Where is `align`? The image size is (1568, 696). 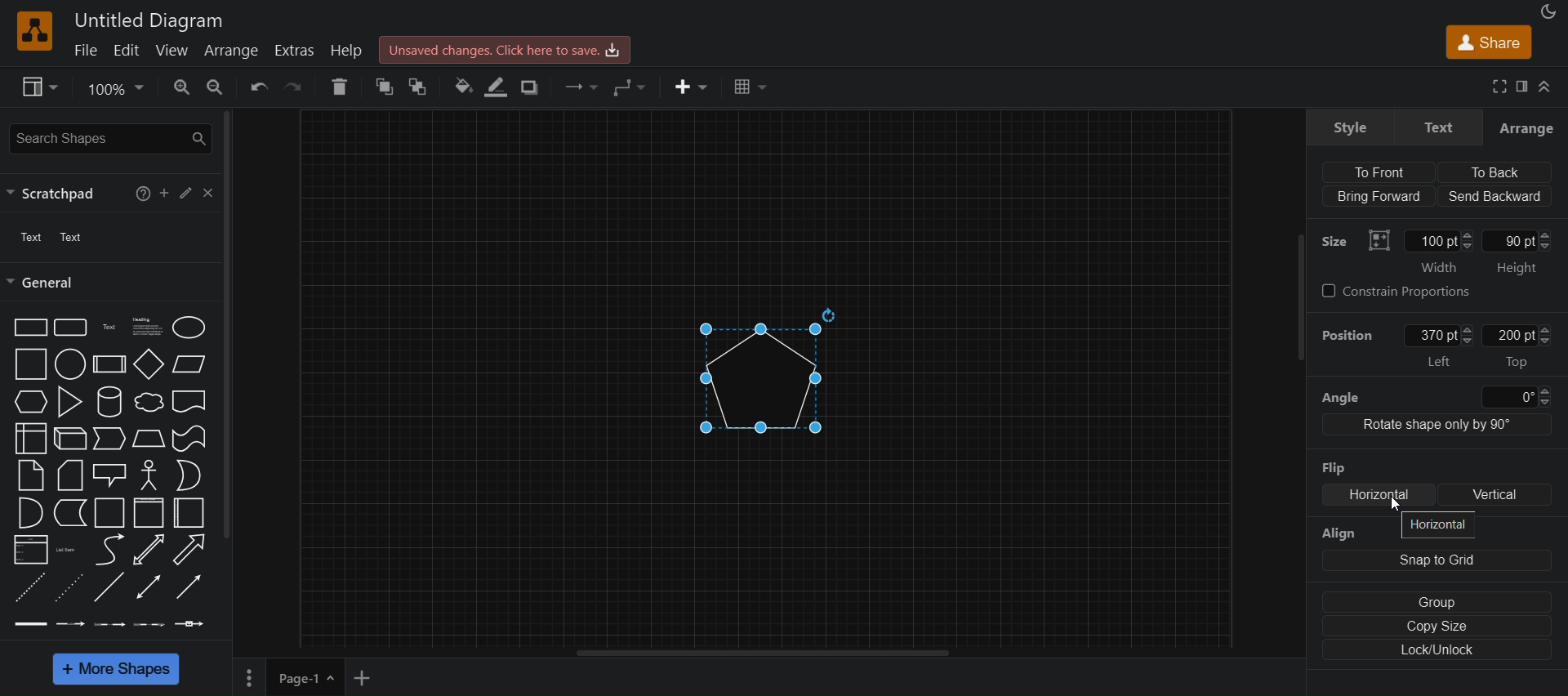
align is located at coordinates (1349, 533).